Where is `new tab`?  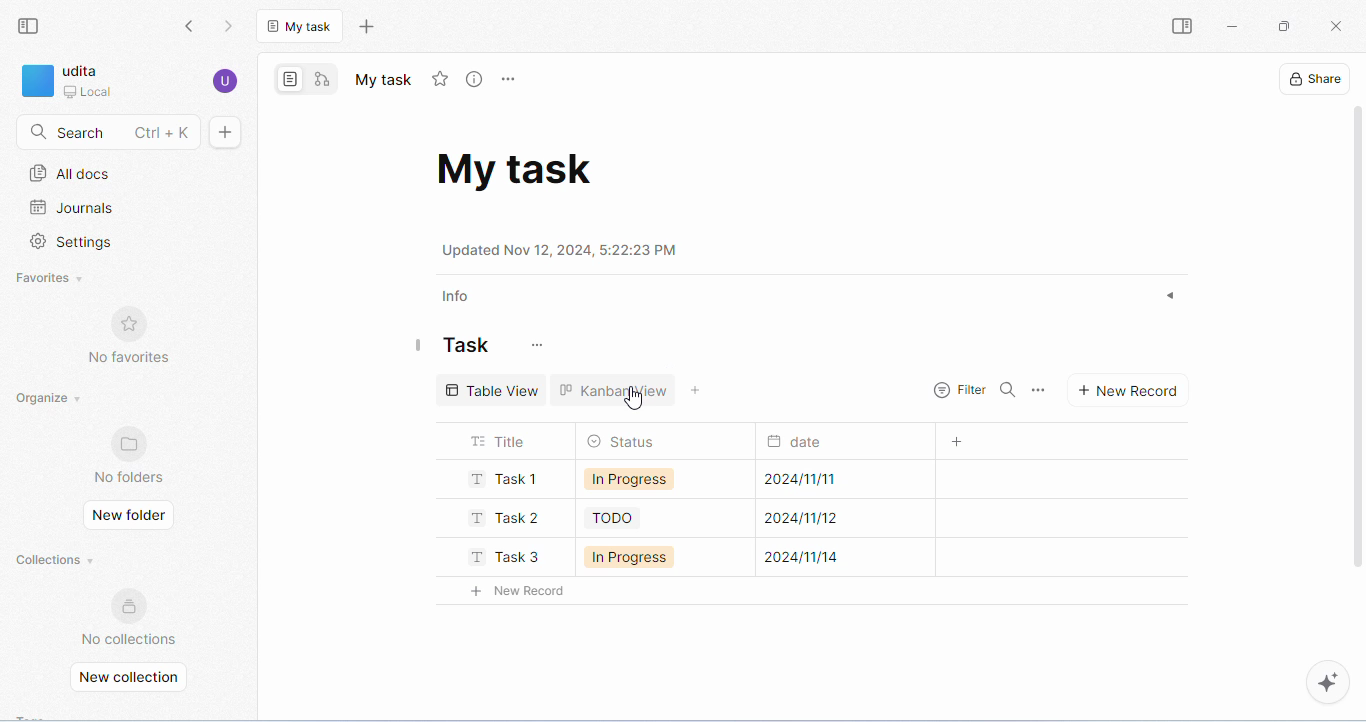 new tab is located at coordinates (371, 28).